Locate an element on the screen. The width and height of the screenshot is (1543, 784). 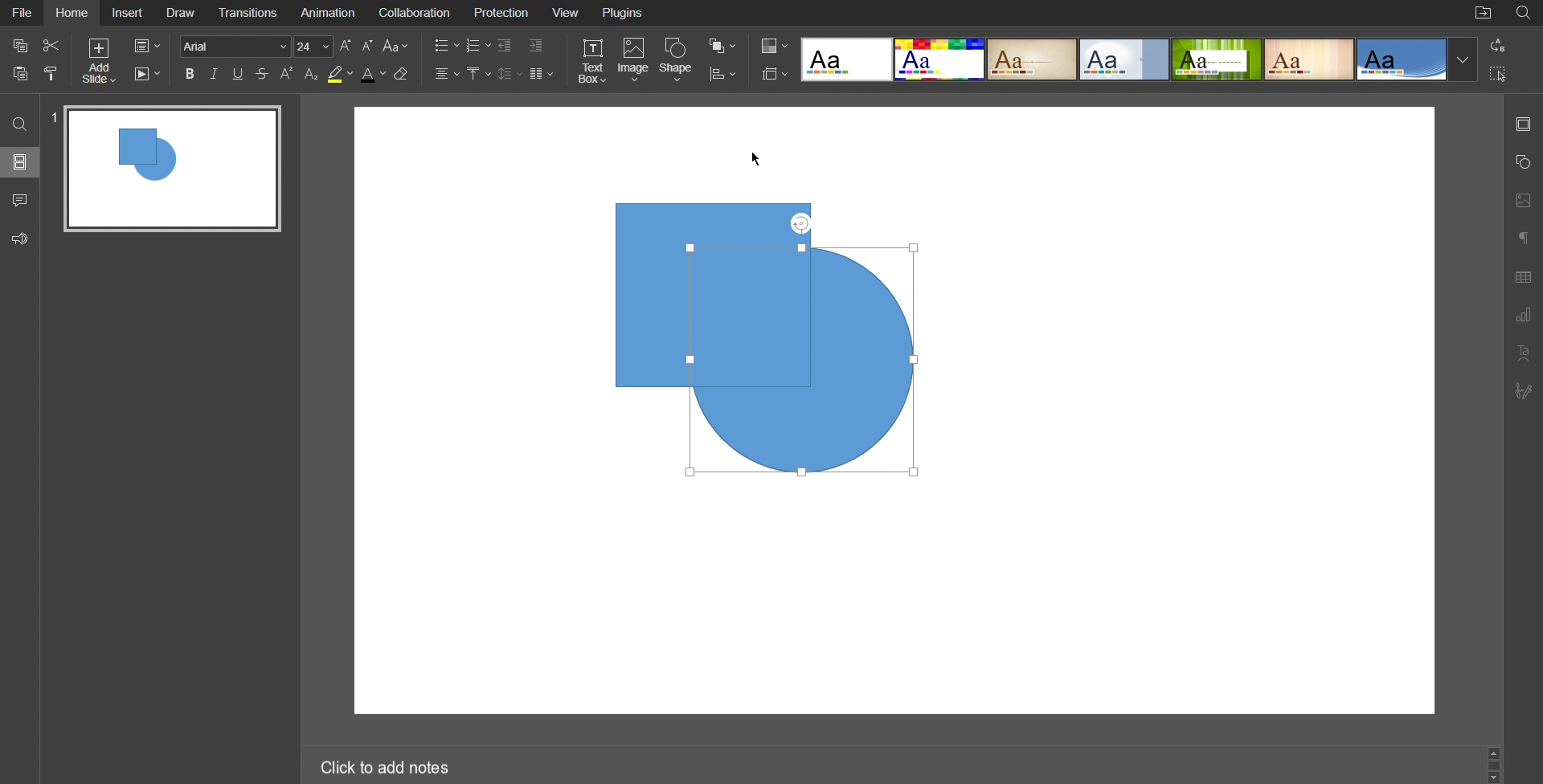
Strikethrough is located at coordinates (262, 74).